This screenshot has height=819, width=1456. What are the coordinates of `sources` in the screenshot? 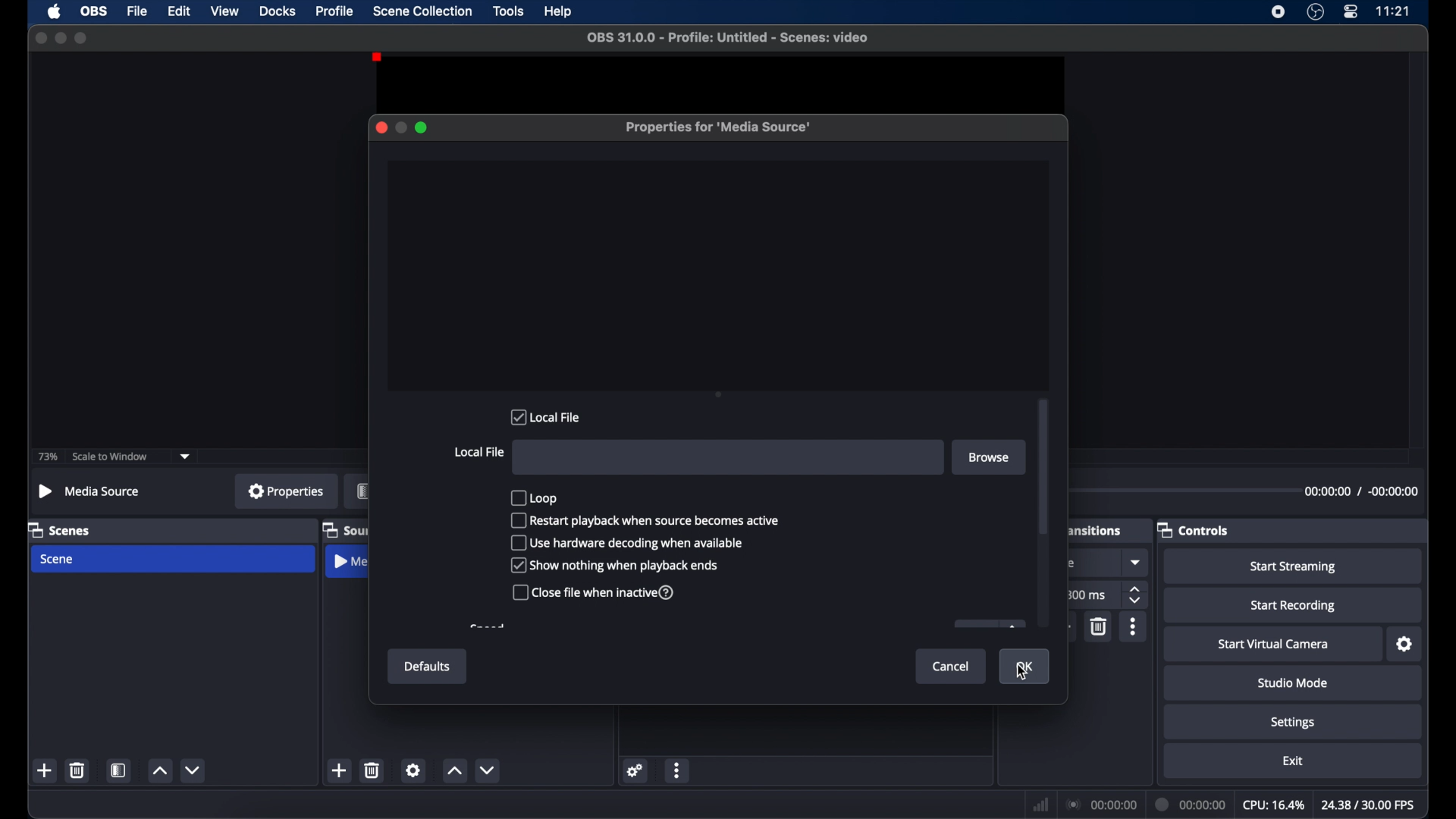 It's located at (347, 529).